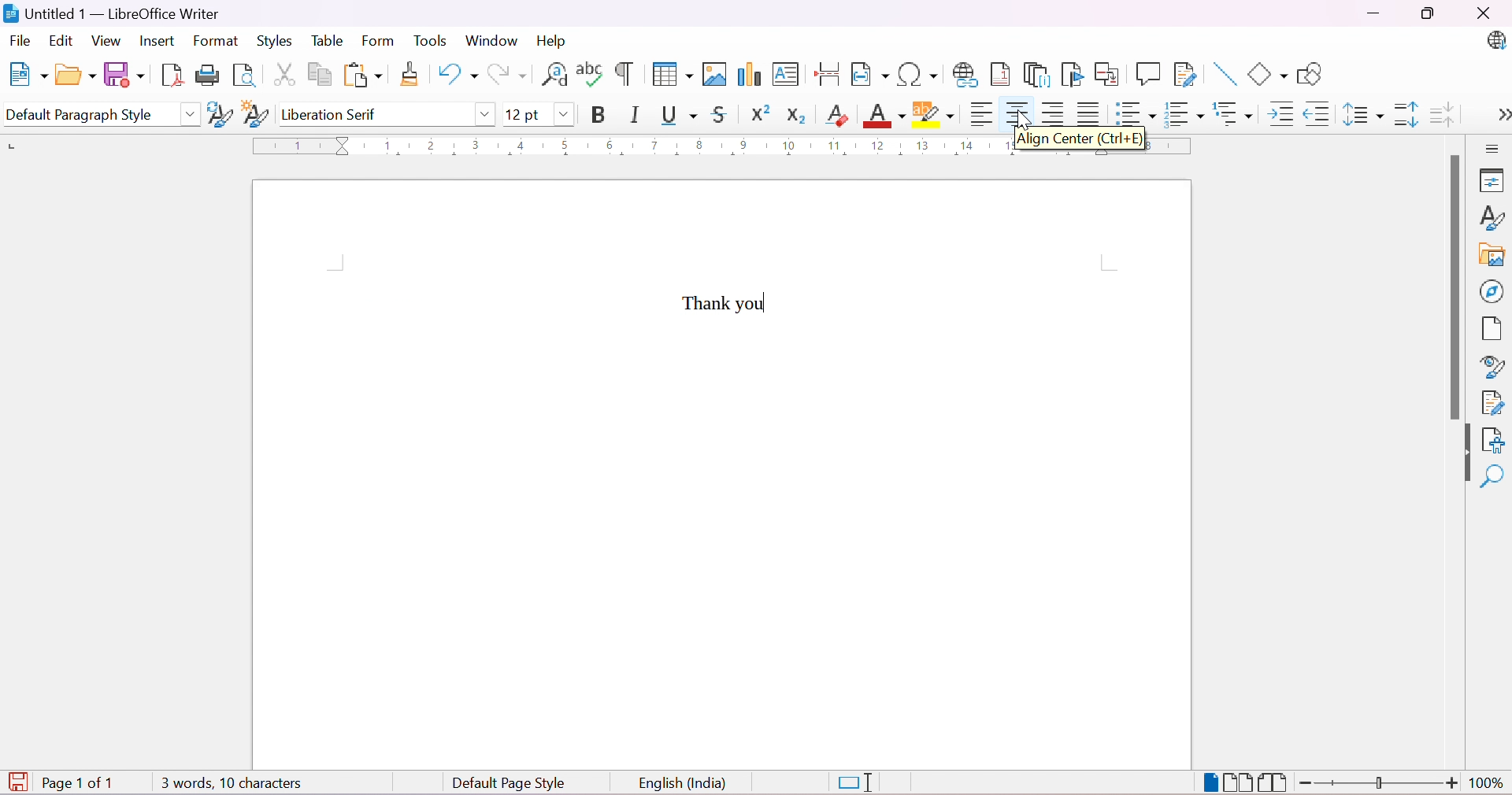  What do you see at coordinates (836, 114) in the screenshot?
I see `Clear Direct Formatting` at bounding box center [836, 114].